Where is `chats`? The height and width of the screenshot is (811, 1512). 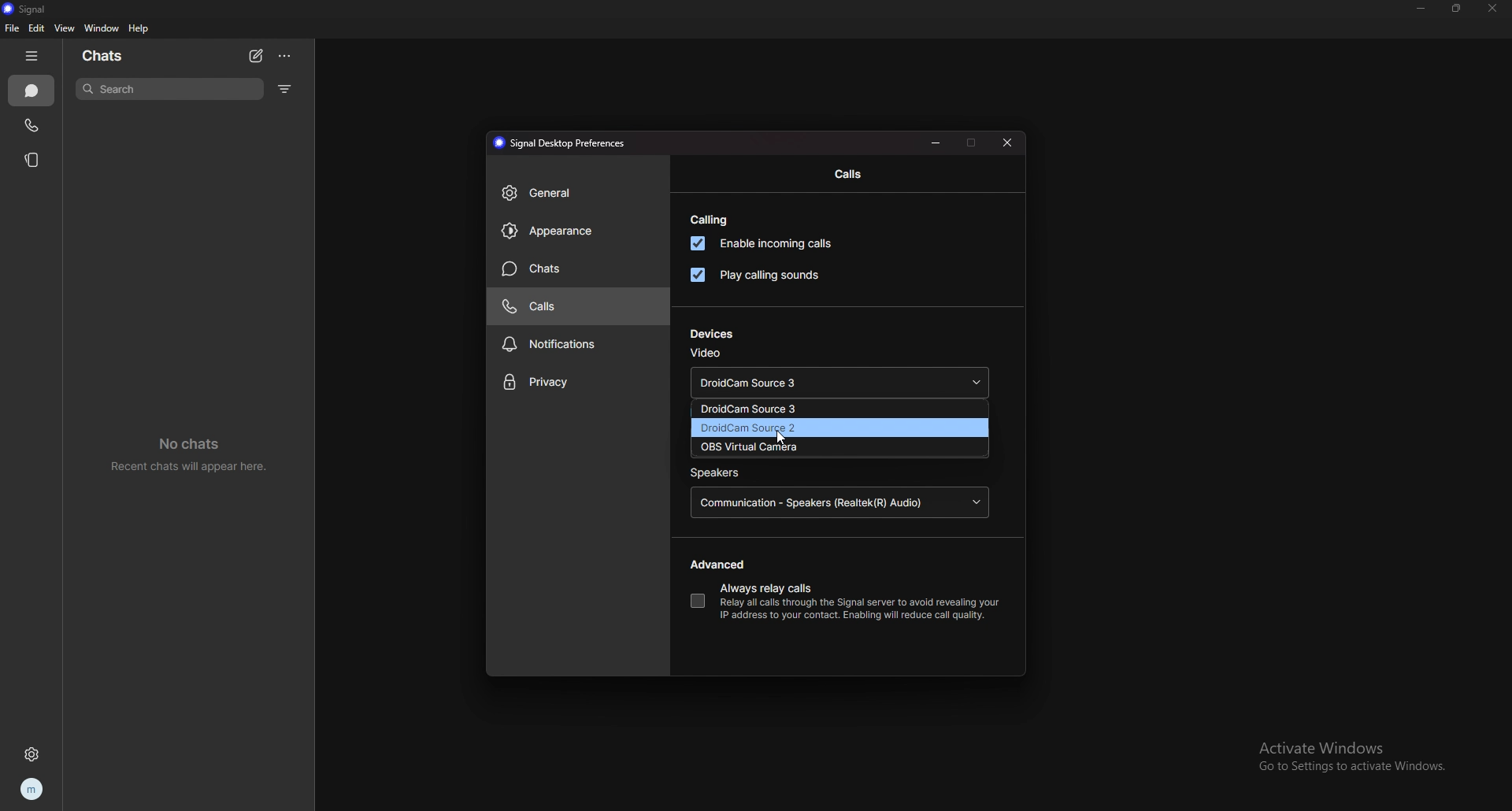
chats is located at coordinates (113, 54).